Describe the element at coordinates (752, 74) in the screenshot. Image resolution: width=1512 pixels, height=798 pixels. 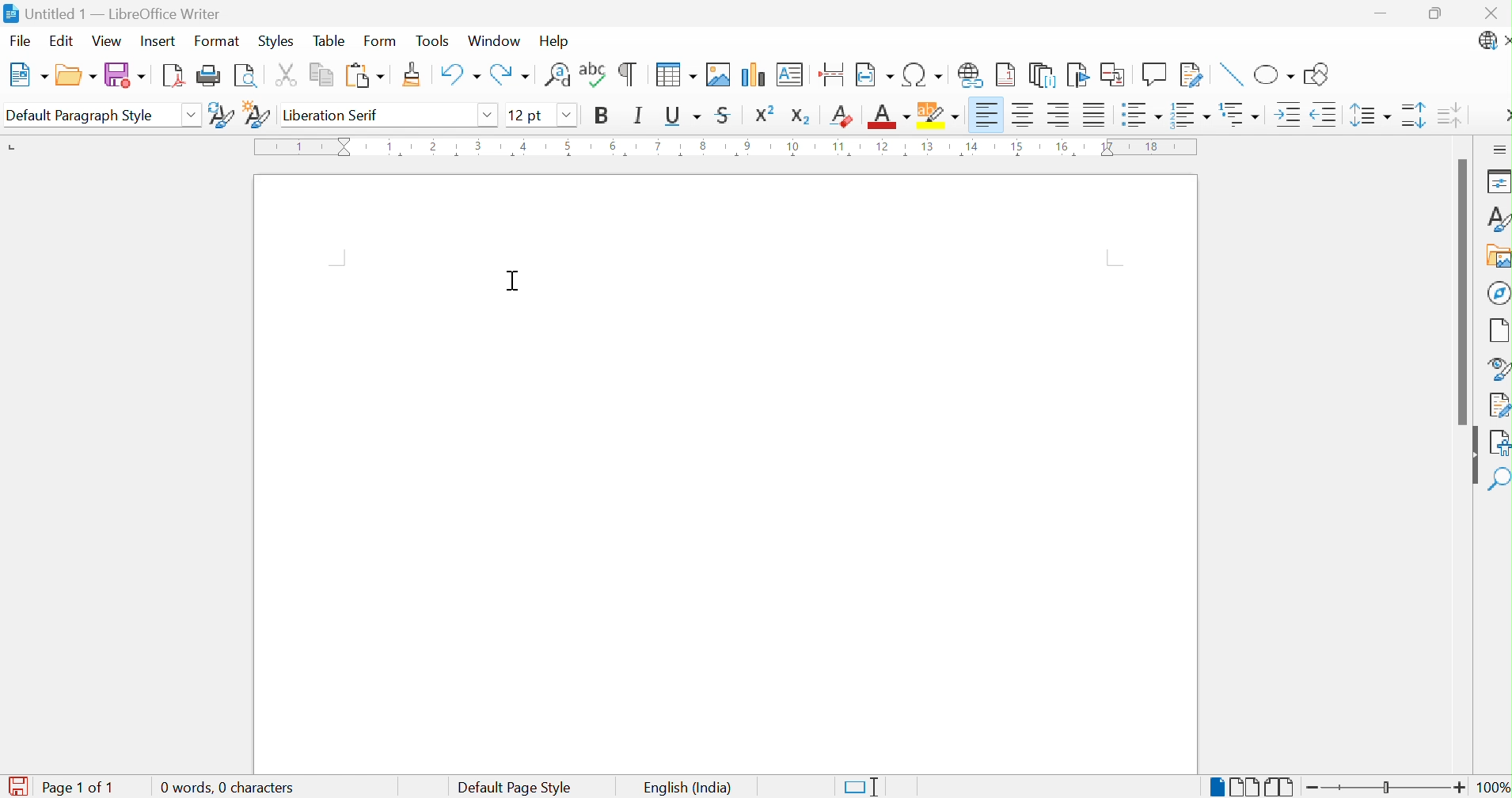
I see `Insert Chart` at that location.